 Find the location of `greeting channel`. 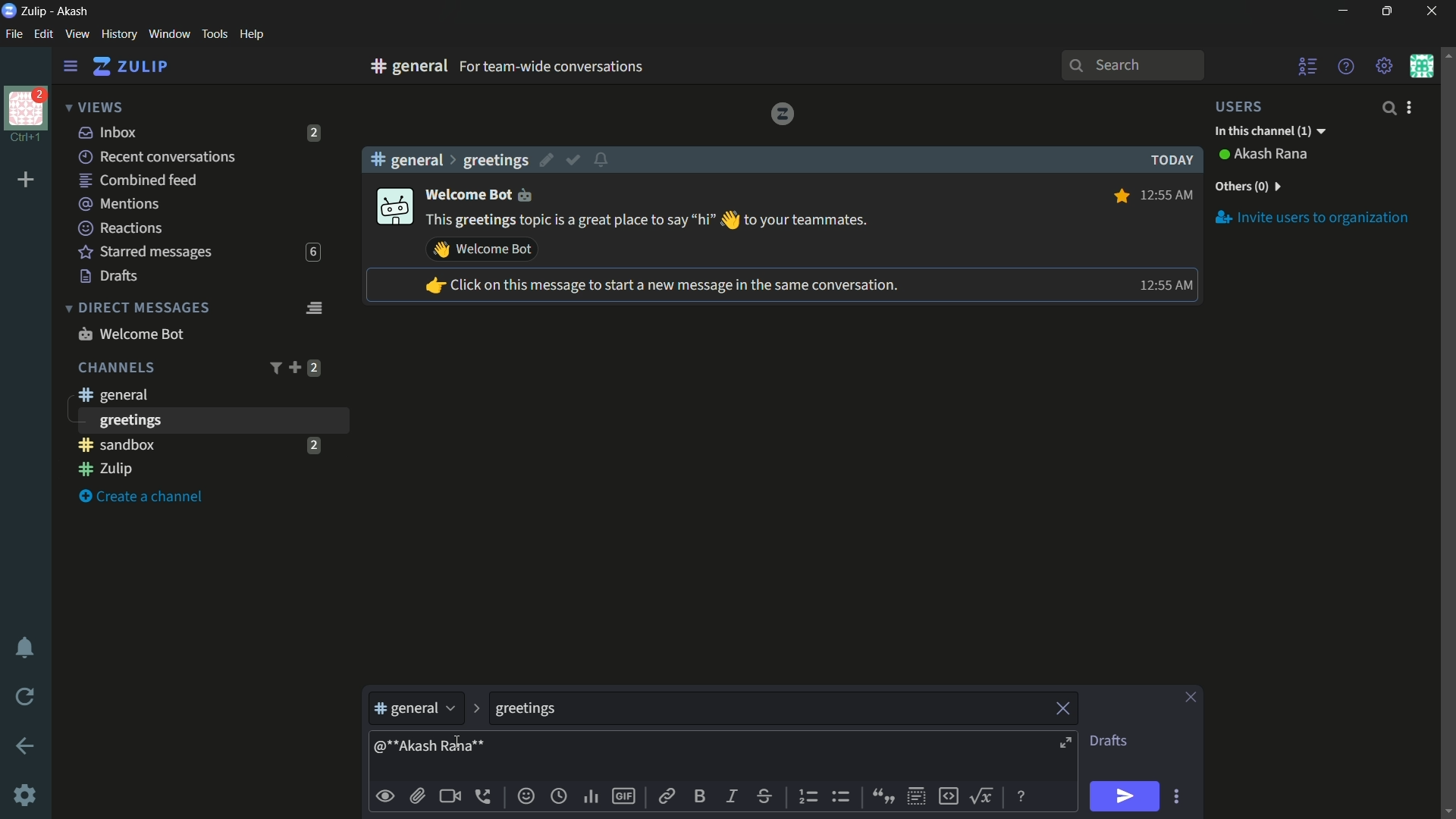

greeting channel is located at coordinates (212, 420).